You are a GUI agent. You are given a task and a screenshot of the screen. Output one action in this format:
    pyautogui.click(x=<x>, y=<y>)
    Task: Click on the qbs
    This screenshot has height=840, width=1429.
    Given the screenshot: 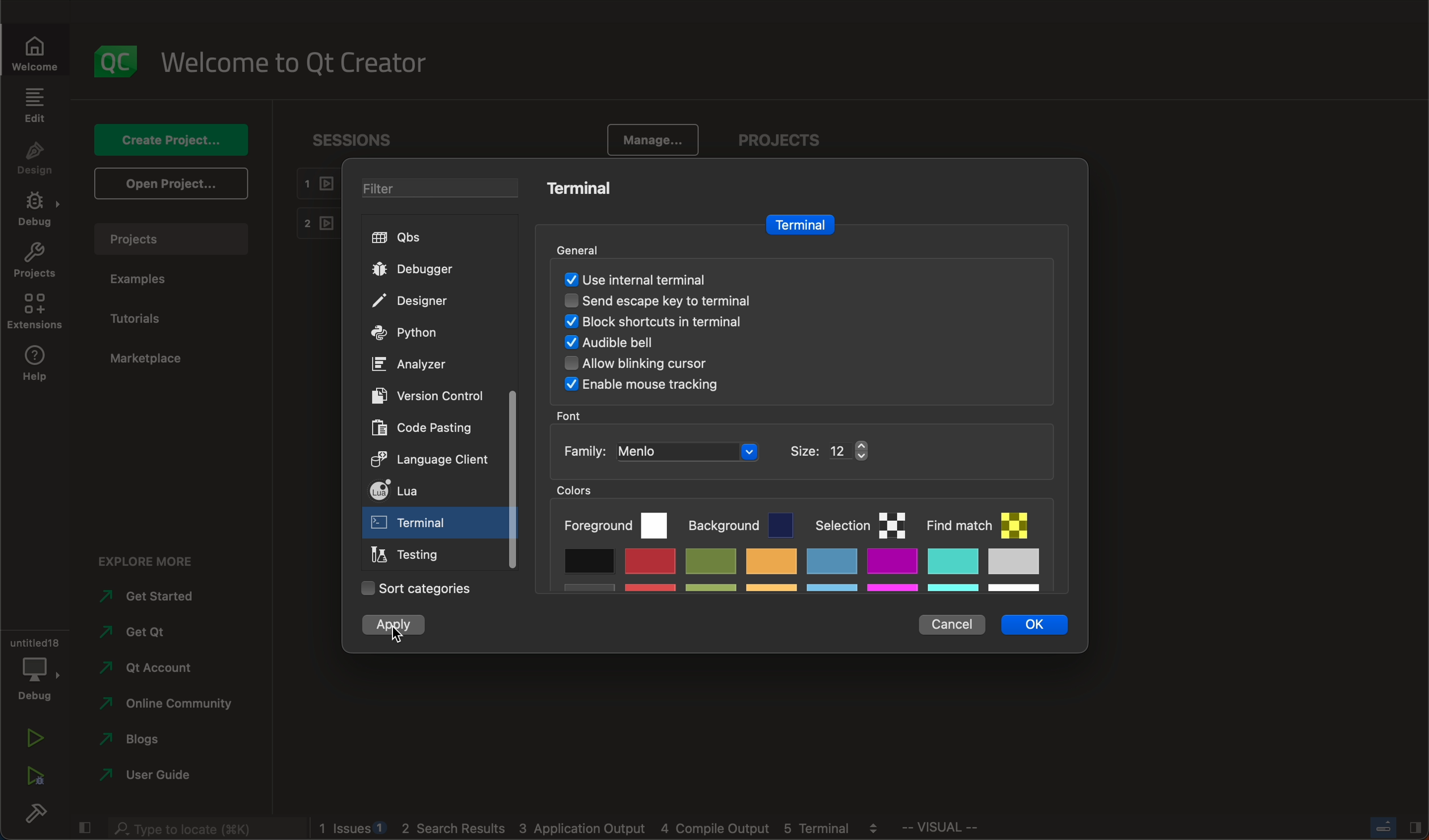 What is the action you would take?
    pyautogui.click(x=405, y=237)
    